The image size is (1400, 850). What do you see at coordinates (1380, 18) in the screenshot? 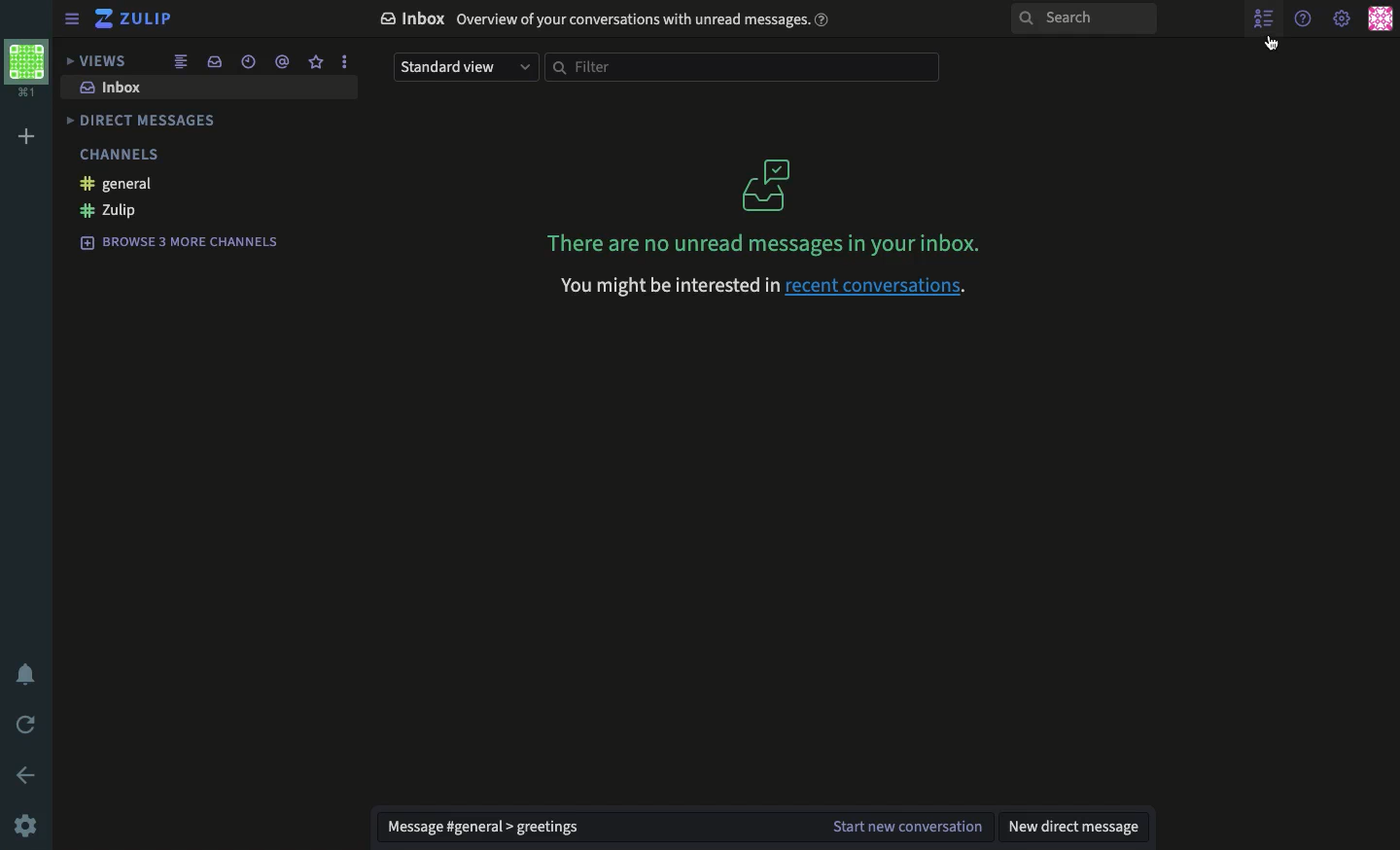
I see `user profile` at bounding box center [1380, 18].